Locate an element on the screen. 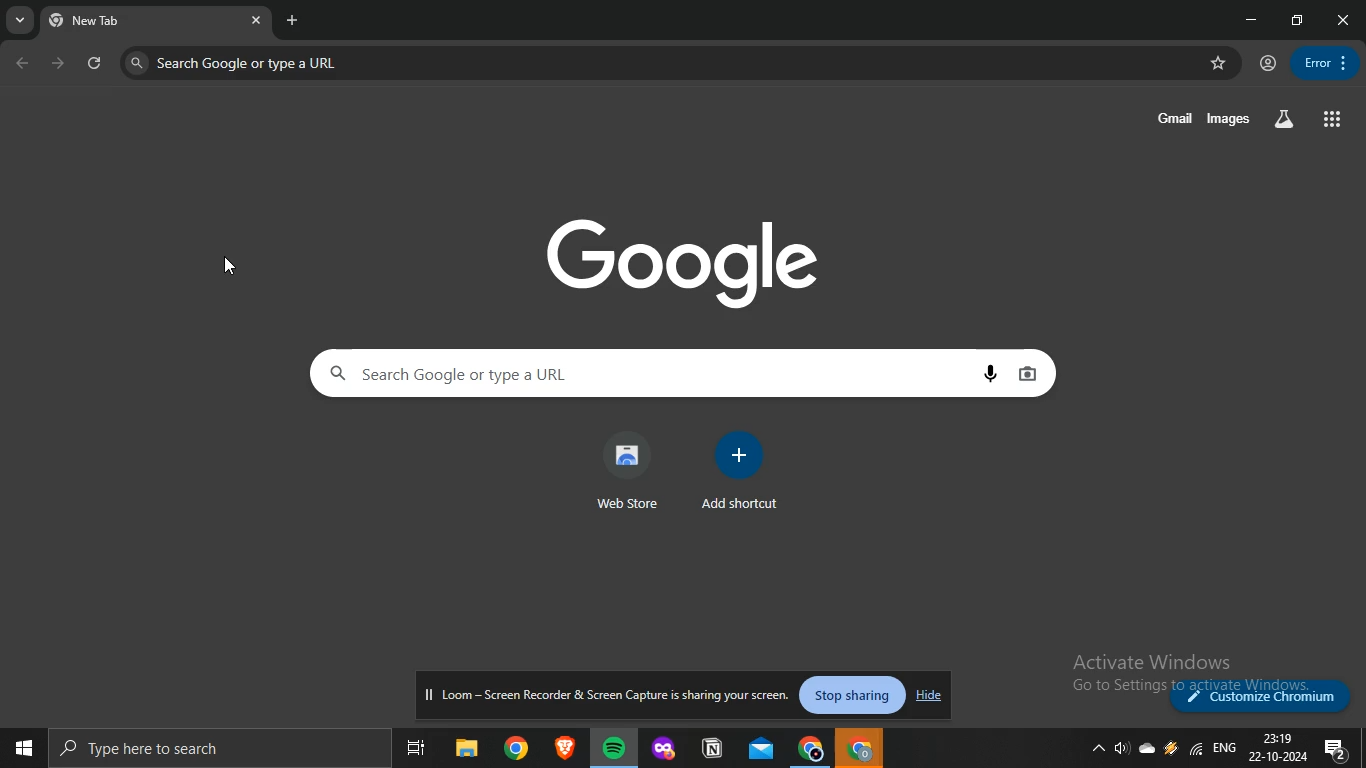 The image size is (1366, 768). customize chromium is located at coordinates (1264, 696).